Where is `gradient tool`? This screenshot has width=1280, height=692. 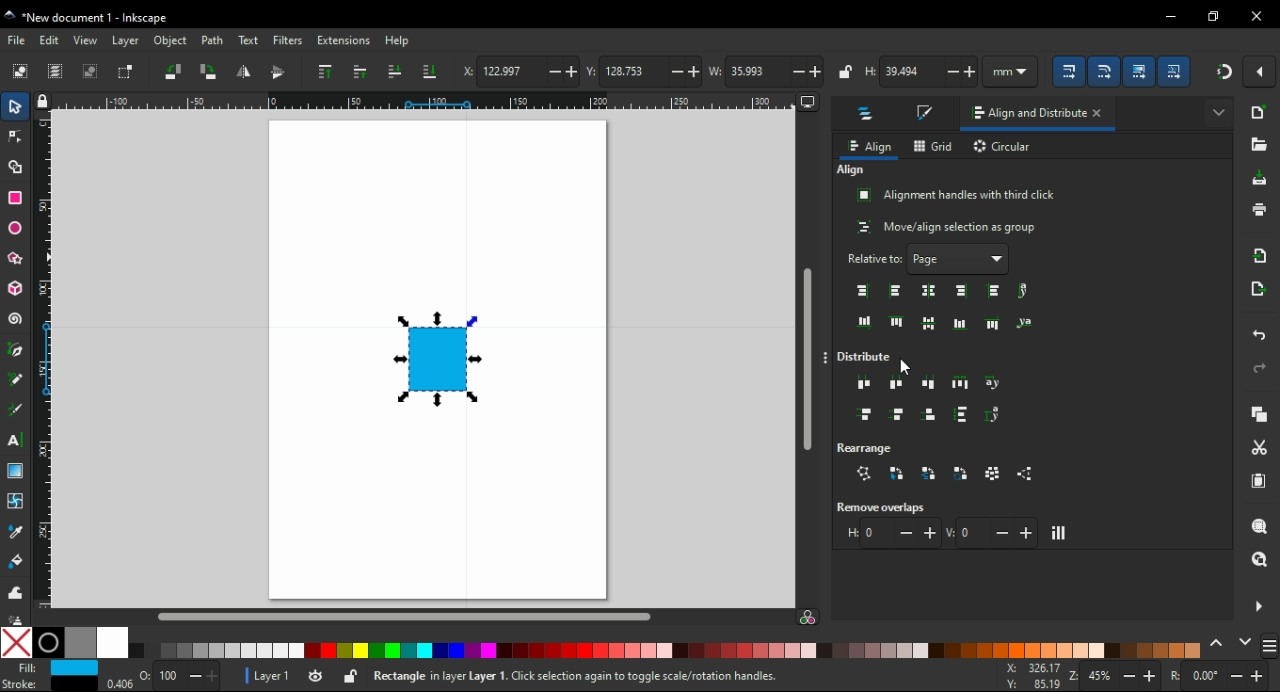 gradient tool is located at coordinates (18, 471).